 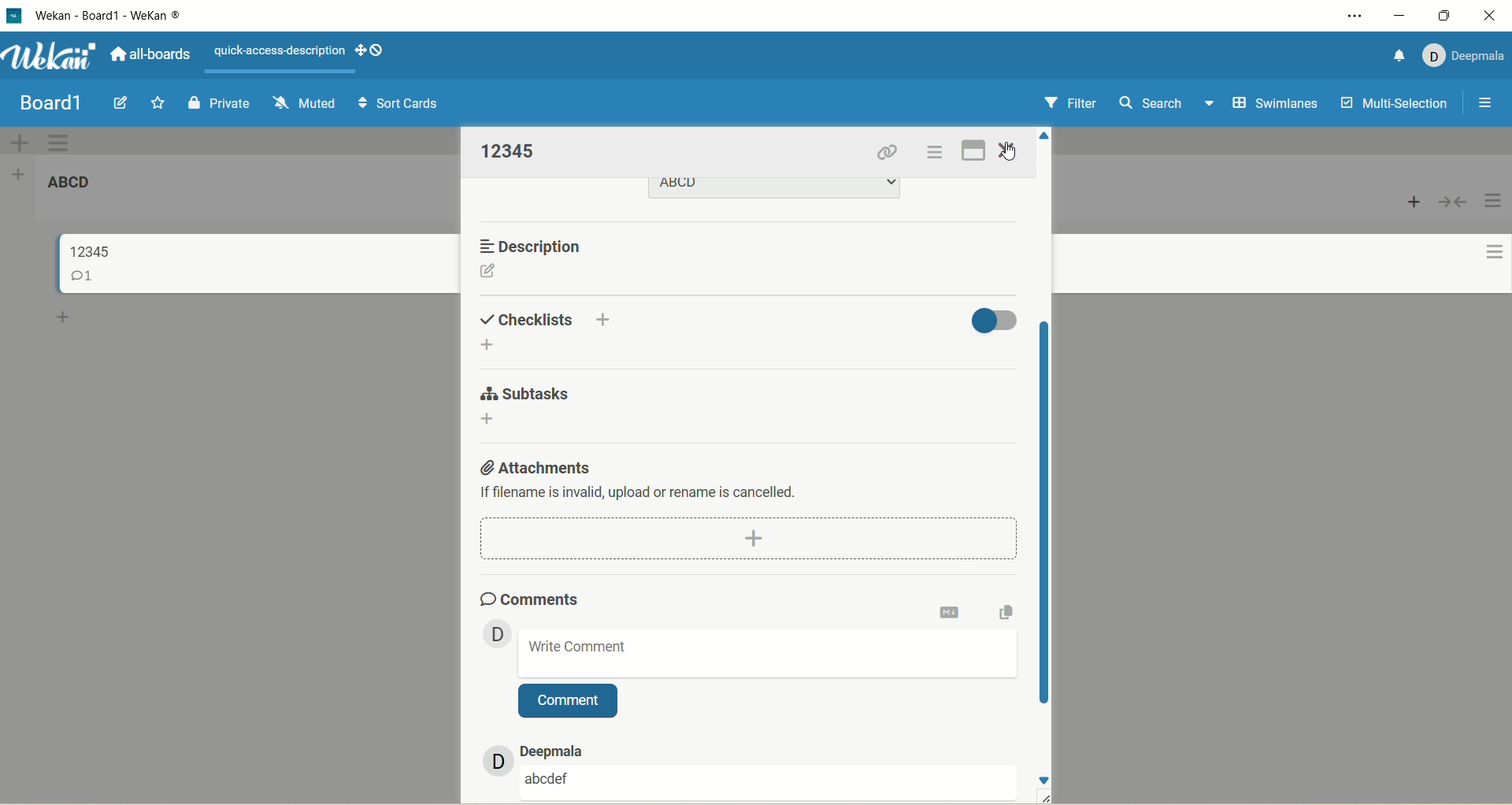 I want to click on member, so click(x=488, y=761).